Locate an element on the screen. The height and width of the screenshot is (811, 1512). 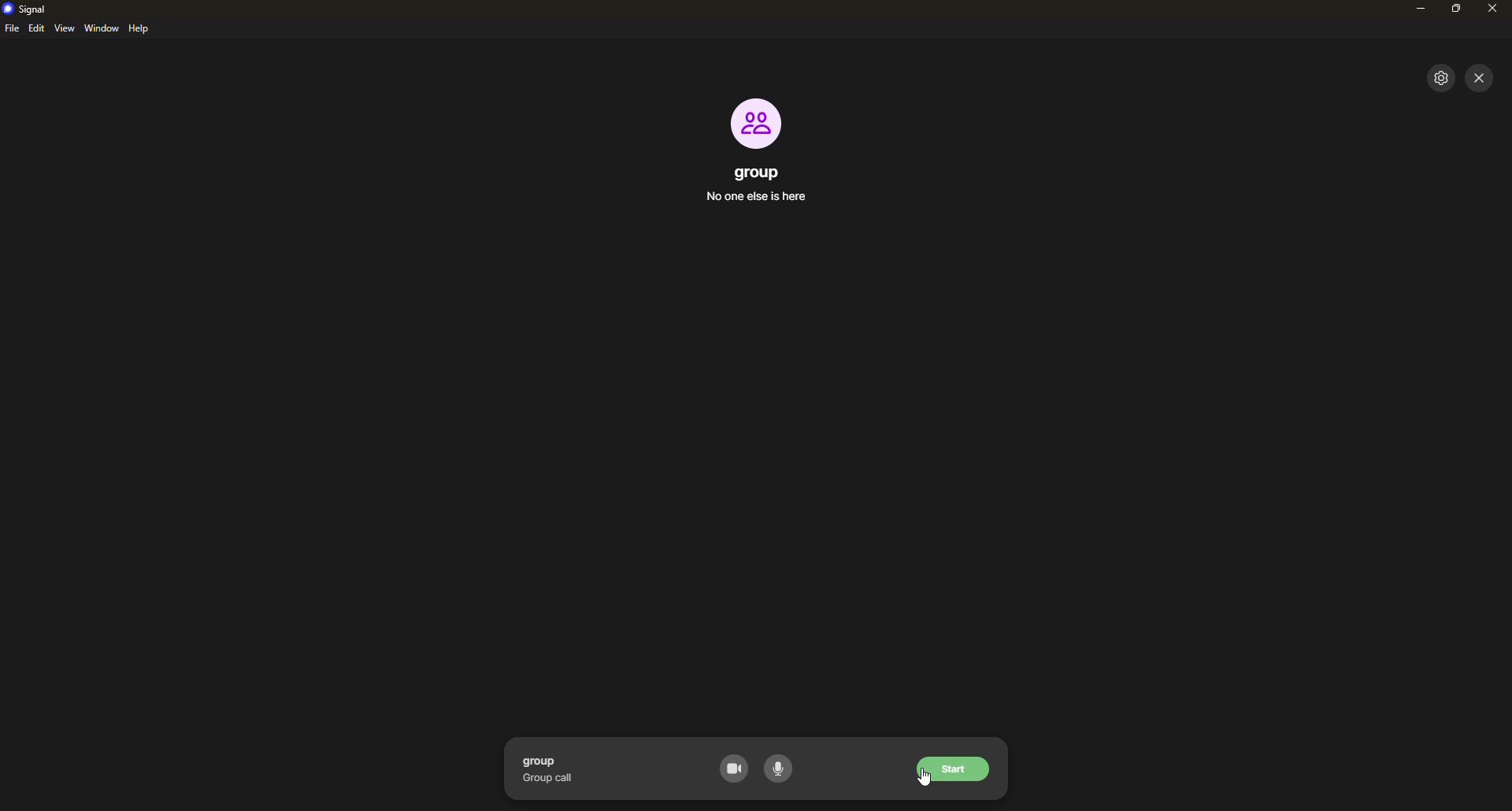
help is located at coordinates (142, 29).